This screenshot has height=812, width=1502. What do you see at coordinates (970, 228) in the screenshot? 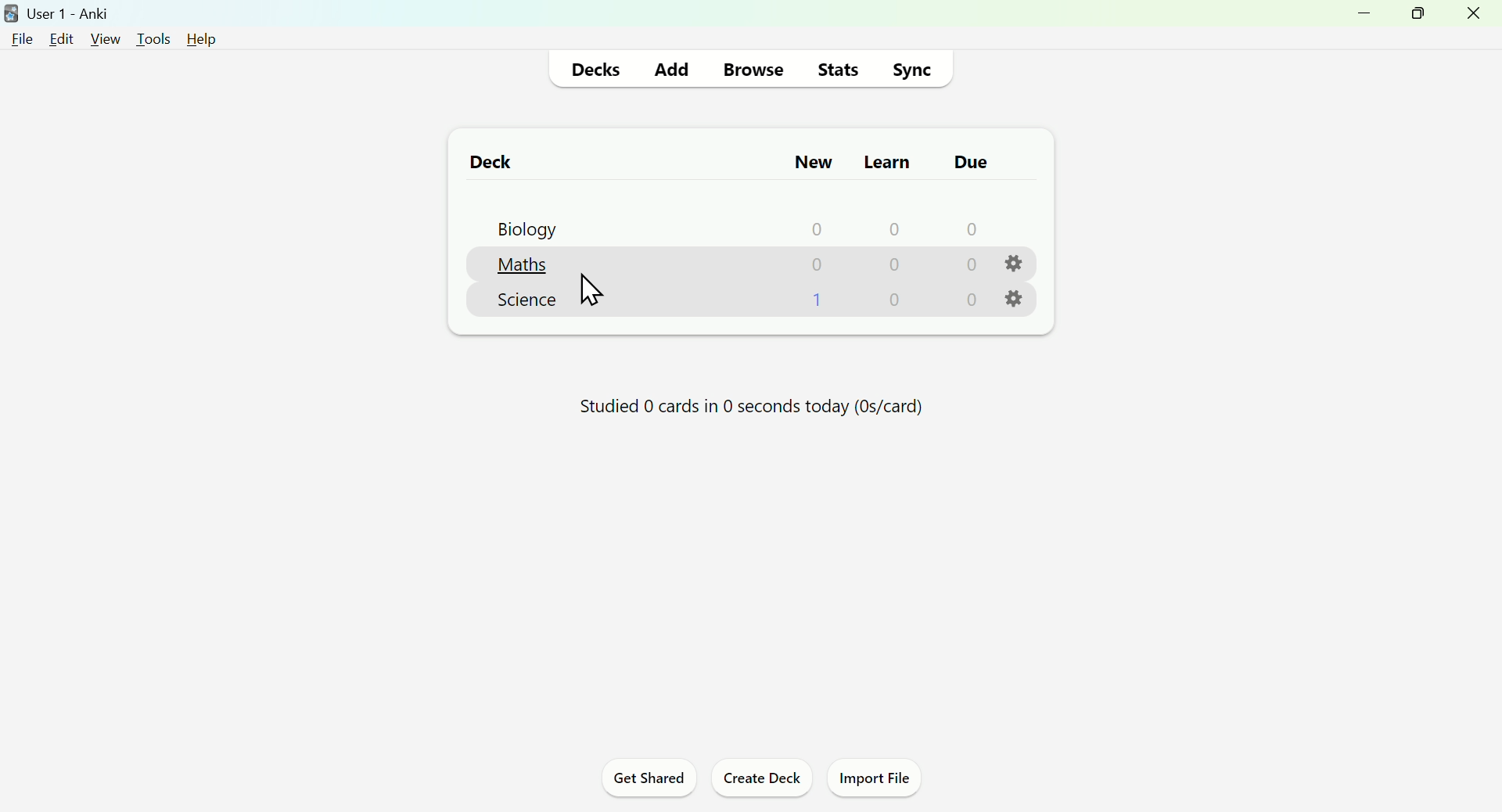
I see `0` at bounding box center [970, 228].